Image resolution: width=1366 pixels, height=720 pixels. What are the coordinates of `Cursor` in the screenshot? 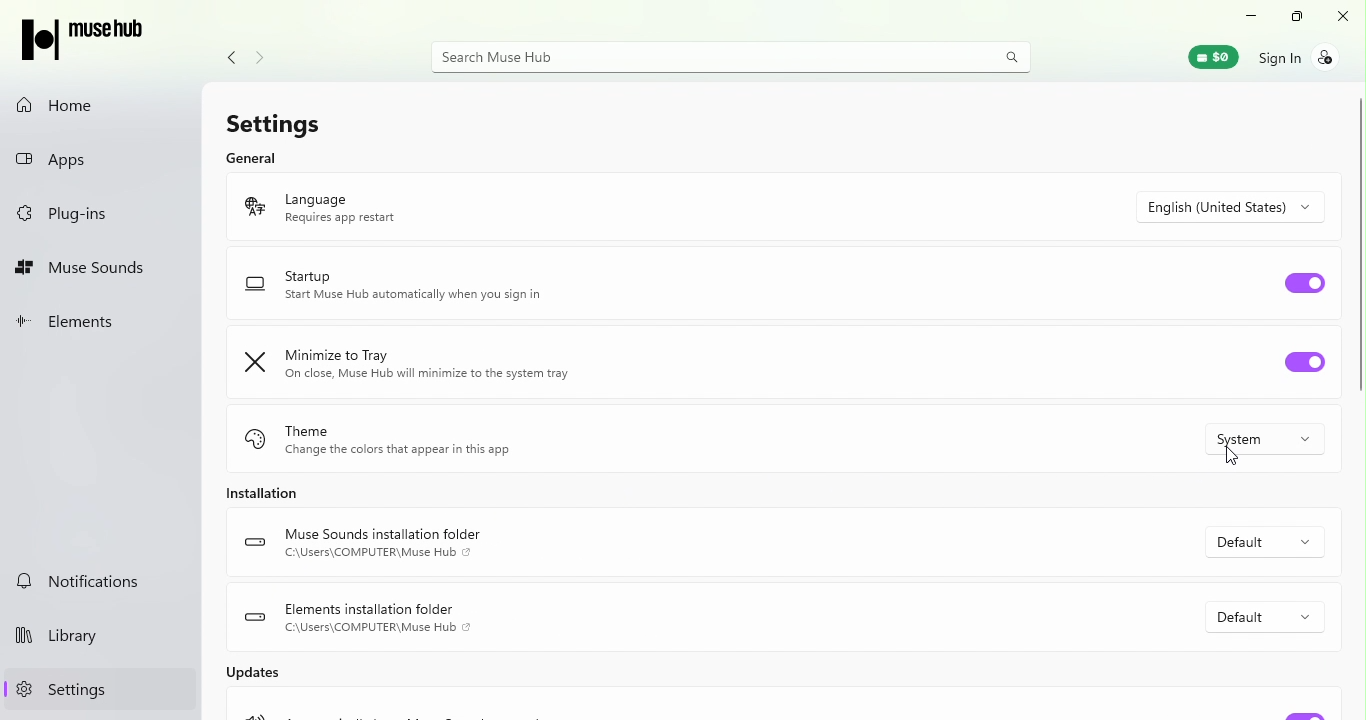 It's located at (1234, 457).